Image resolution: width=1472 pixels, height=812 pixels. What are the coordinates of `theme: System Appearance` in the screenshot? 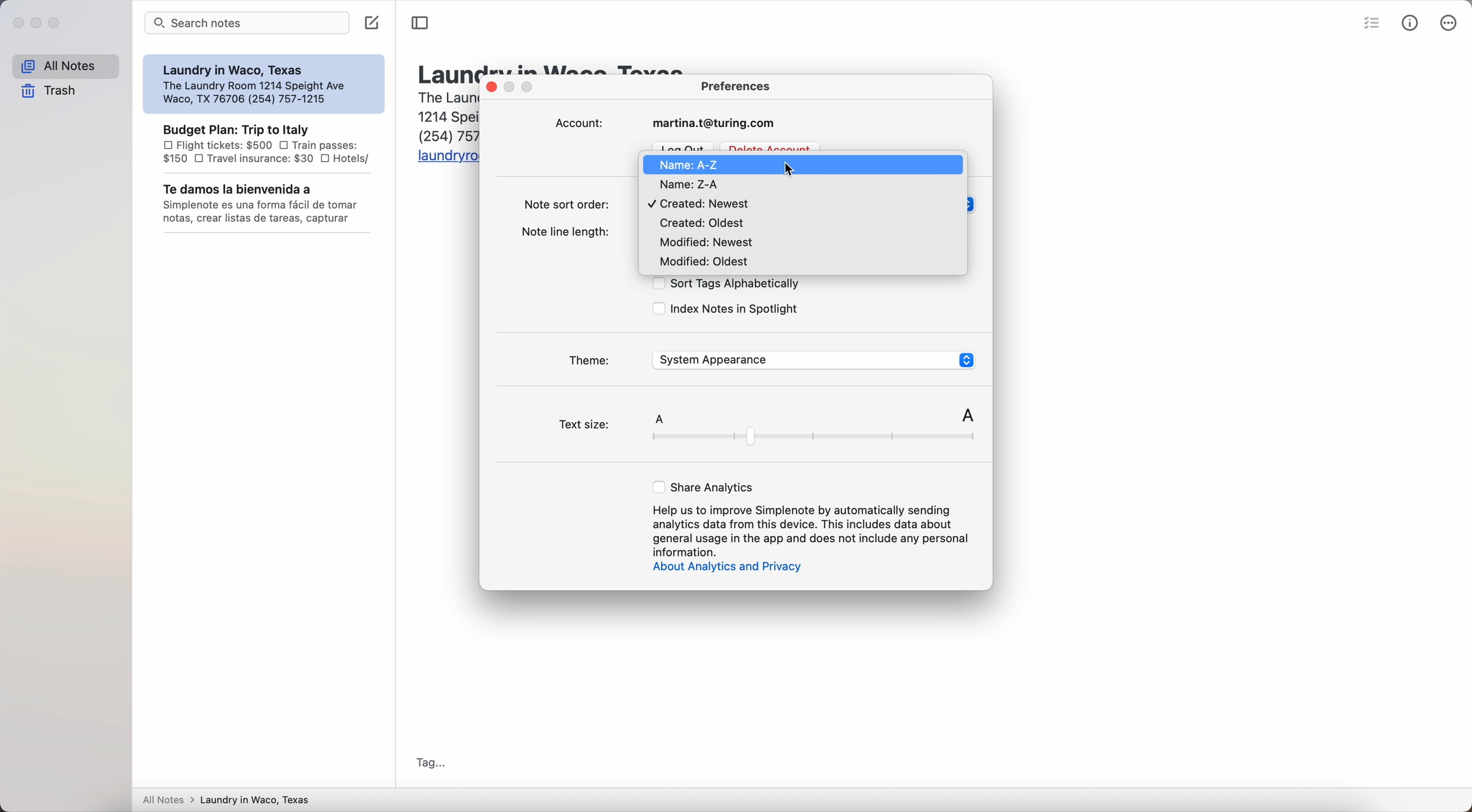 It's located at (771, 359).